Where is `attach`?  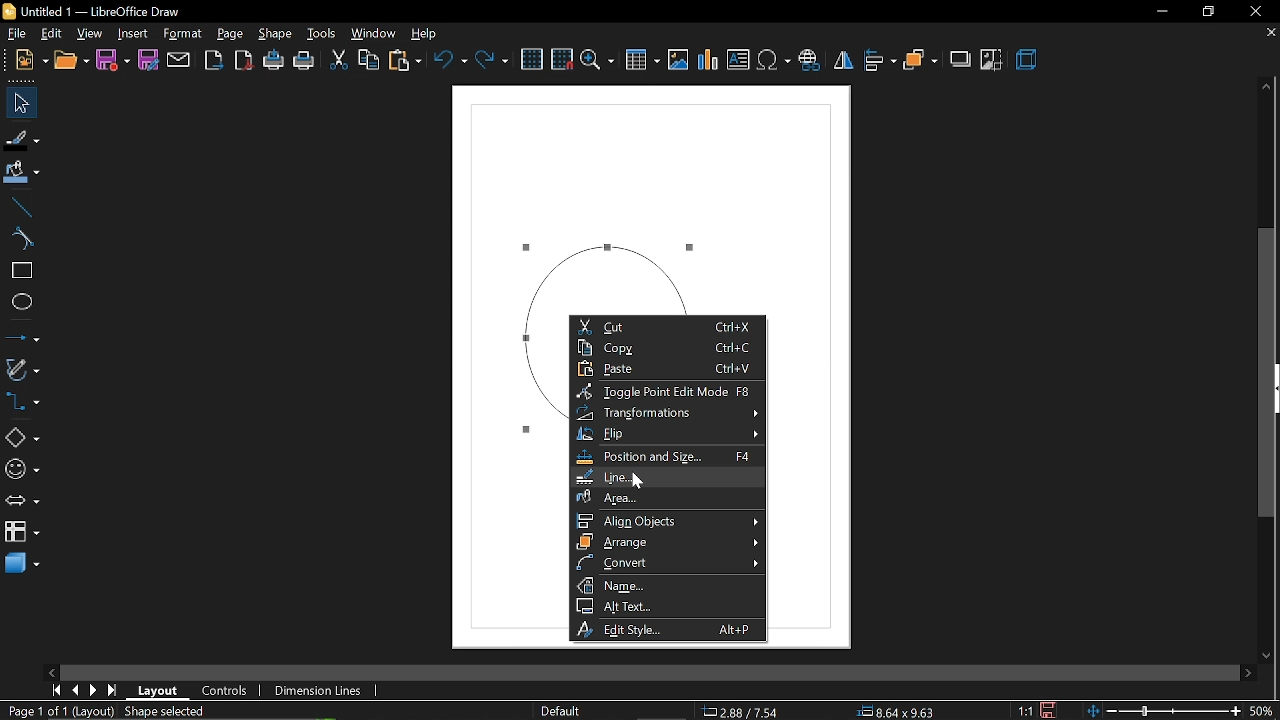
attach is located at coordinates (180, 60).